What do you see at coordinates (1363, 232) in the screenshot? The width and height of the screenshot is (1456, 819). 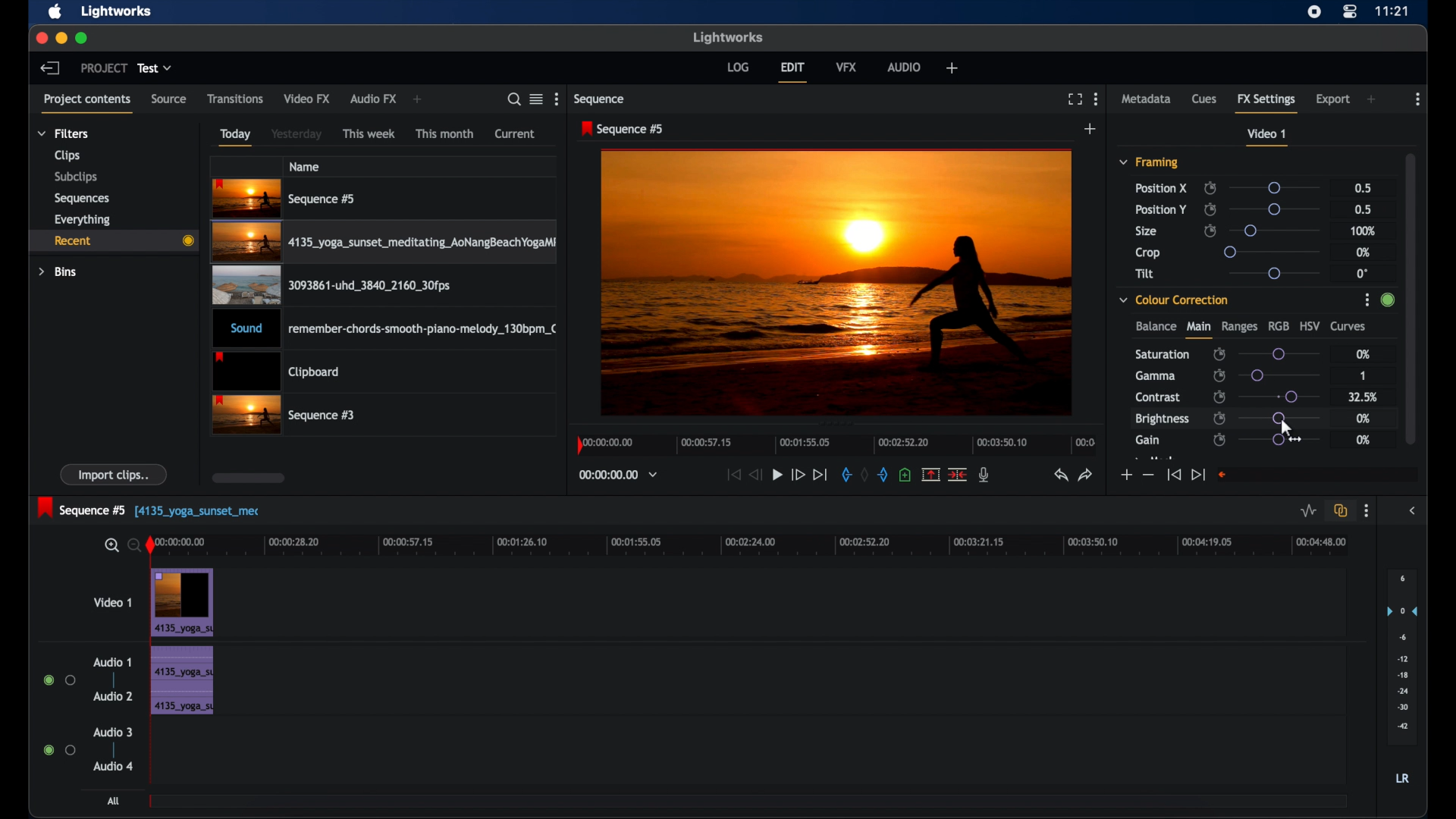 I see `100%` at bounding box center [1363, 232].